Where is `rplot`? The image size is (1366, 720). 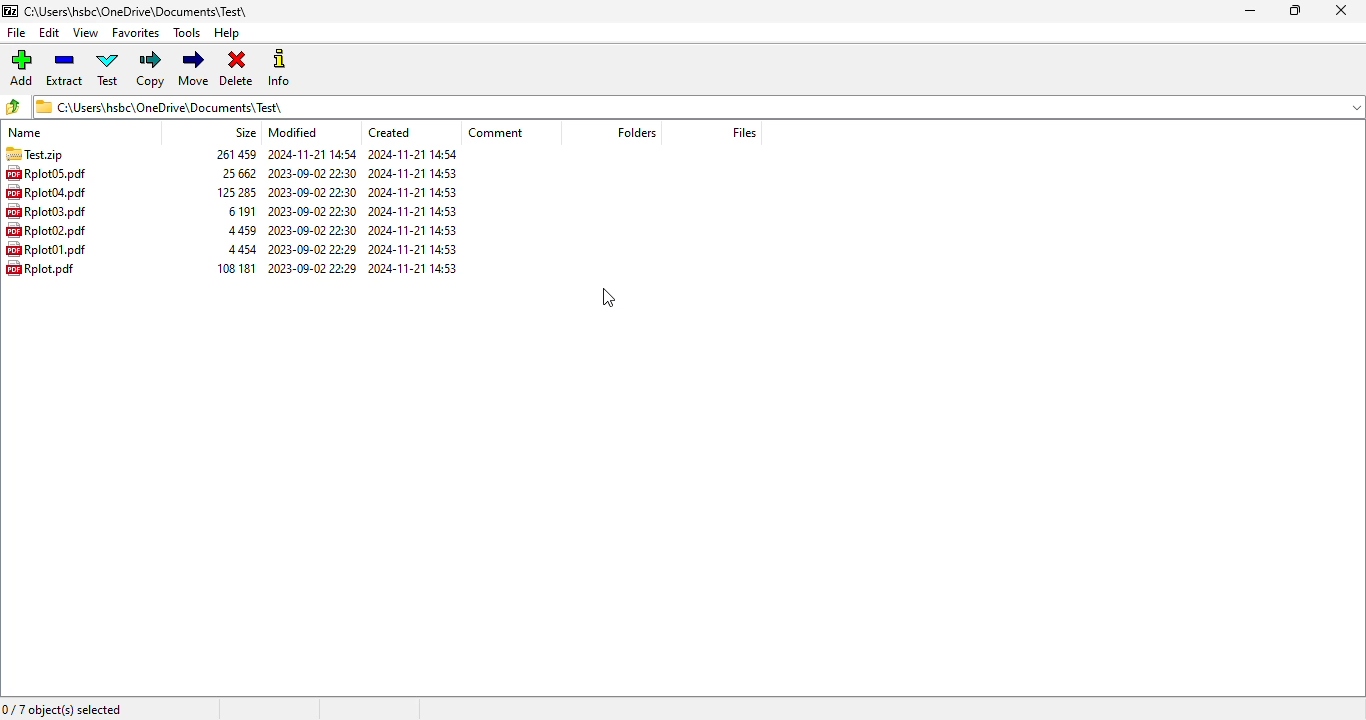
rplot is located at coordinates (41, 268).